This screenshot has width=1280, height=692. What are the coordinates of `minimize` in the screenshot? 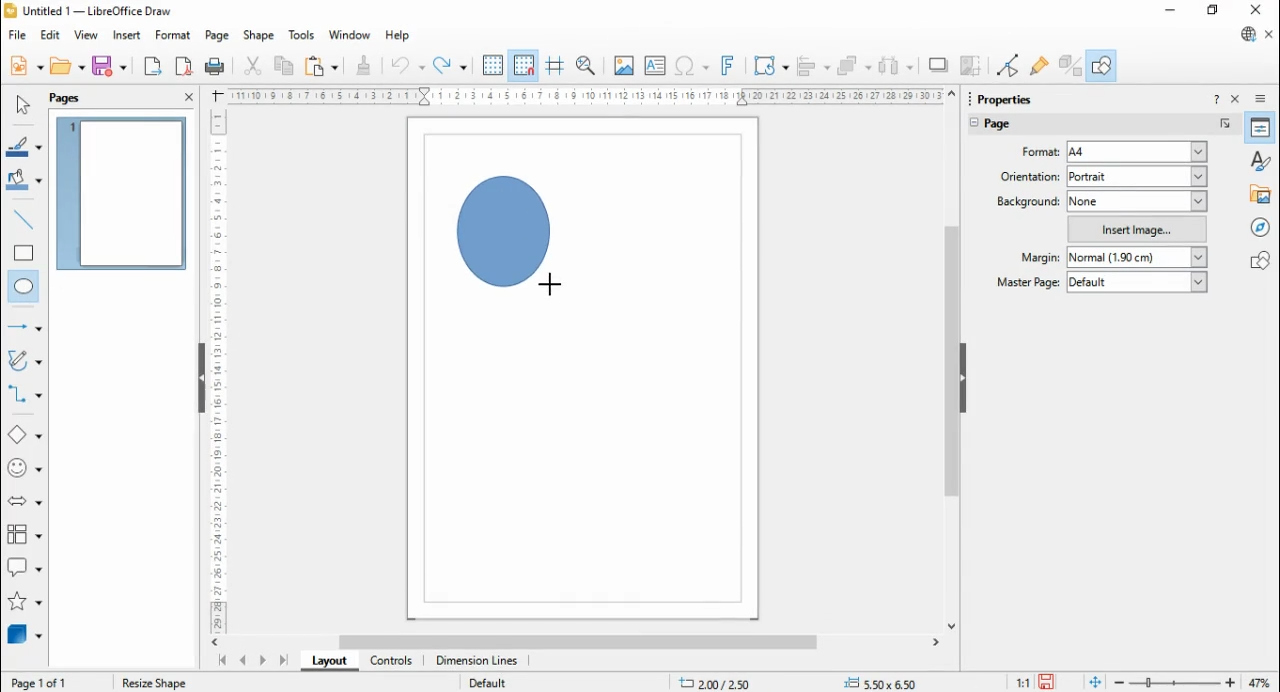 It's located at (1172, 10).